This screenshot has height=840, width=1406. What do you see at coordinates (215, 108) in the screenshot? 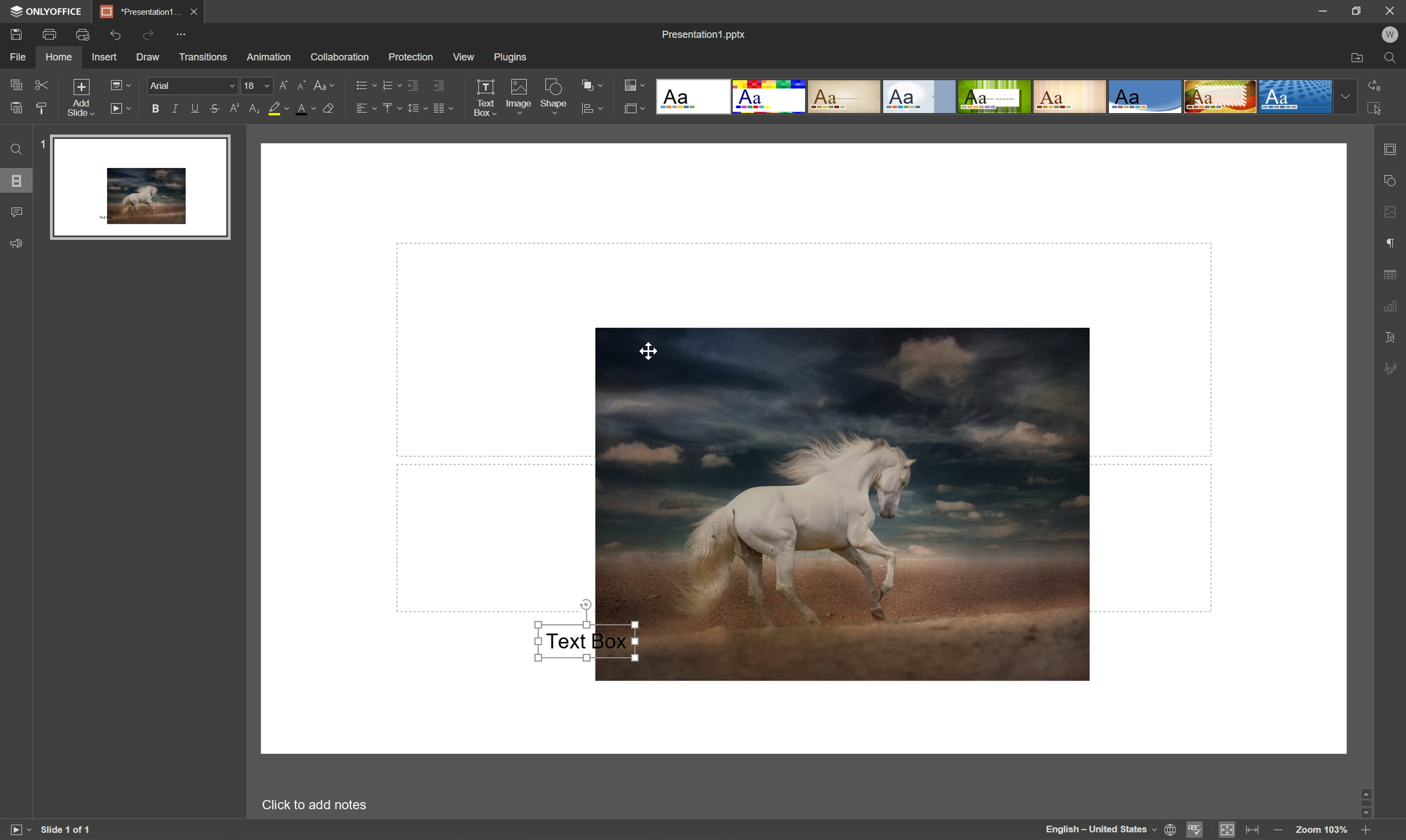
I see `Strikethrough` at bounding box center [215, 108].